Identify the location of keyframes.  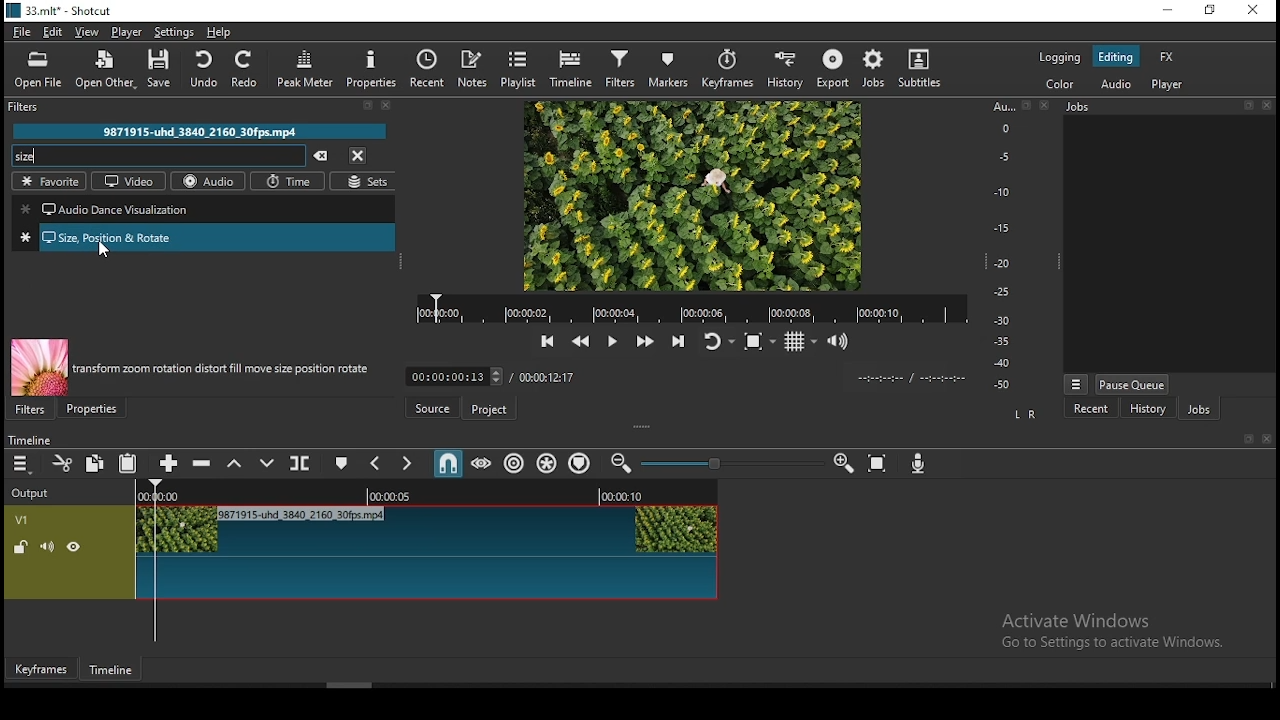
(727, 68).